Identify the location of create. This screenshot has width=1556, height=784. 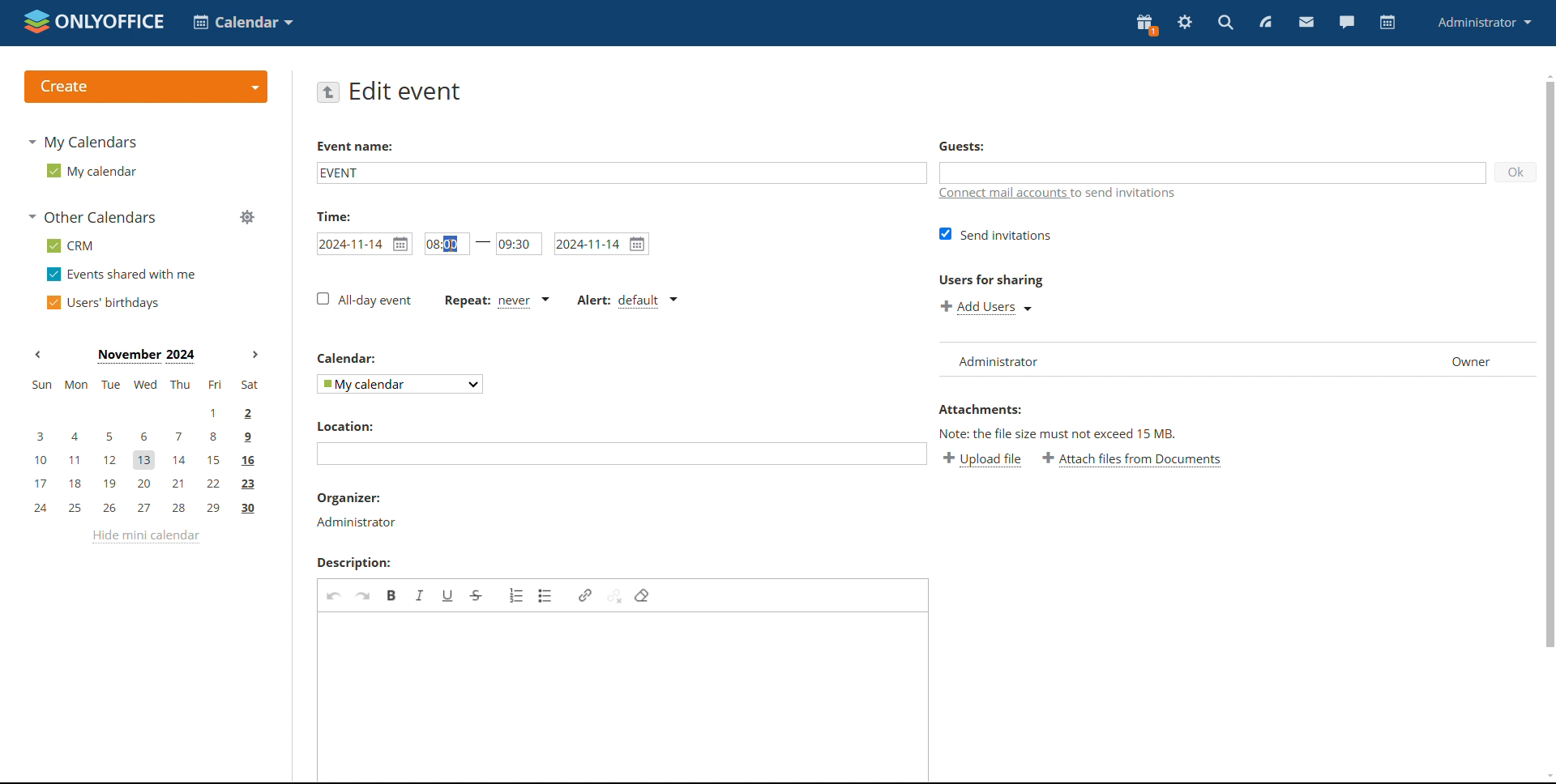
(144, 87).